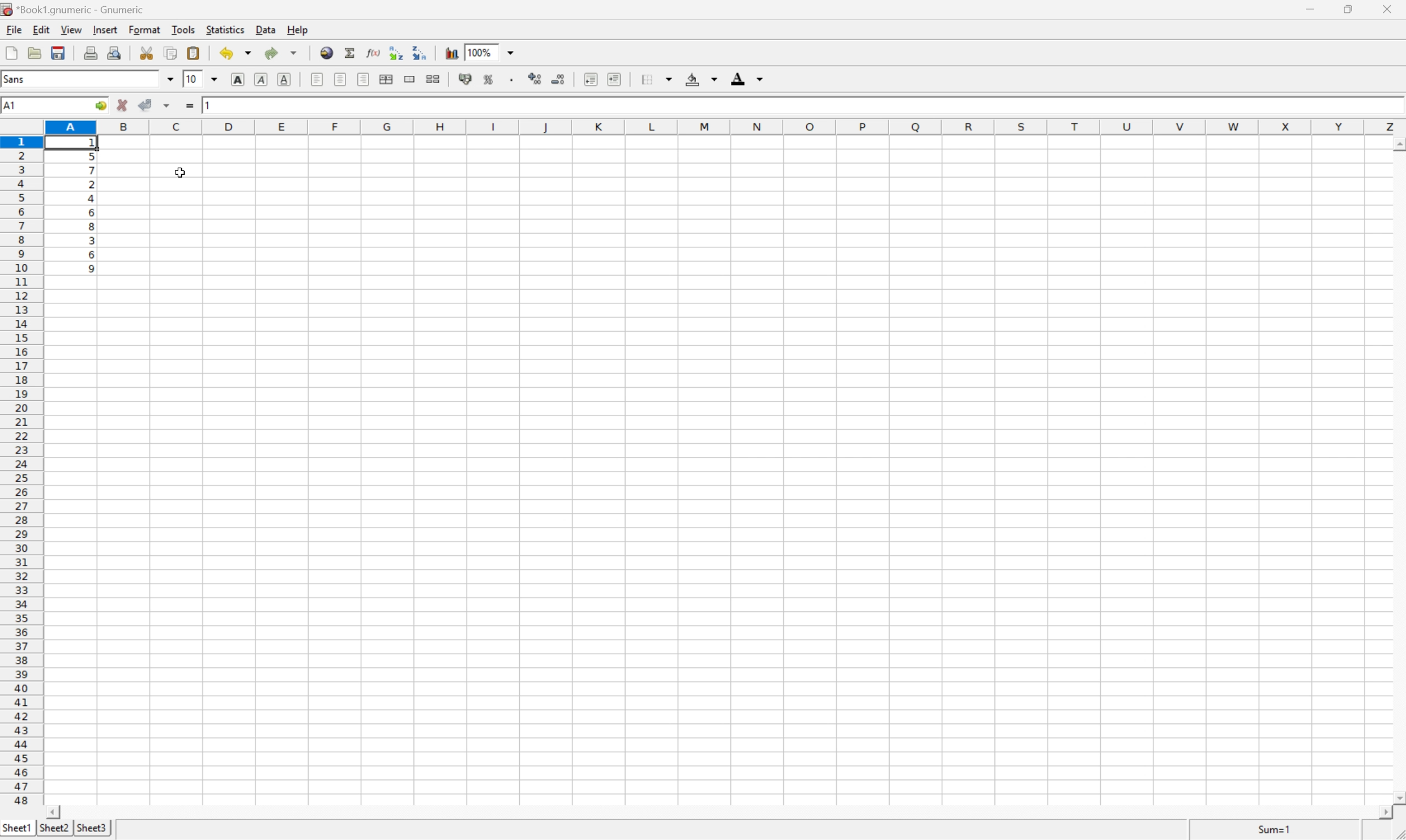  What do you see at coordinates (233, 53) in the screenshot?
I see `undo` at bounding box center [233, 53].